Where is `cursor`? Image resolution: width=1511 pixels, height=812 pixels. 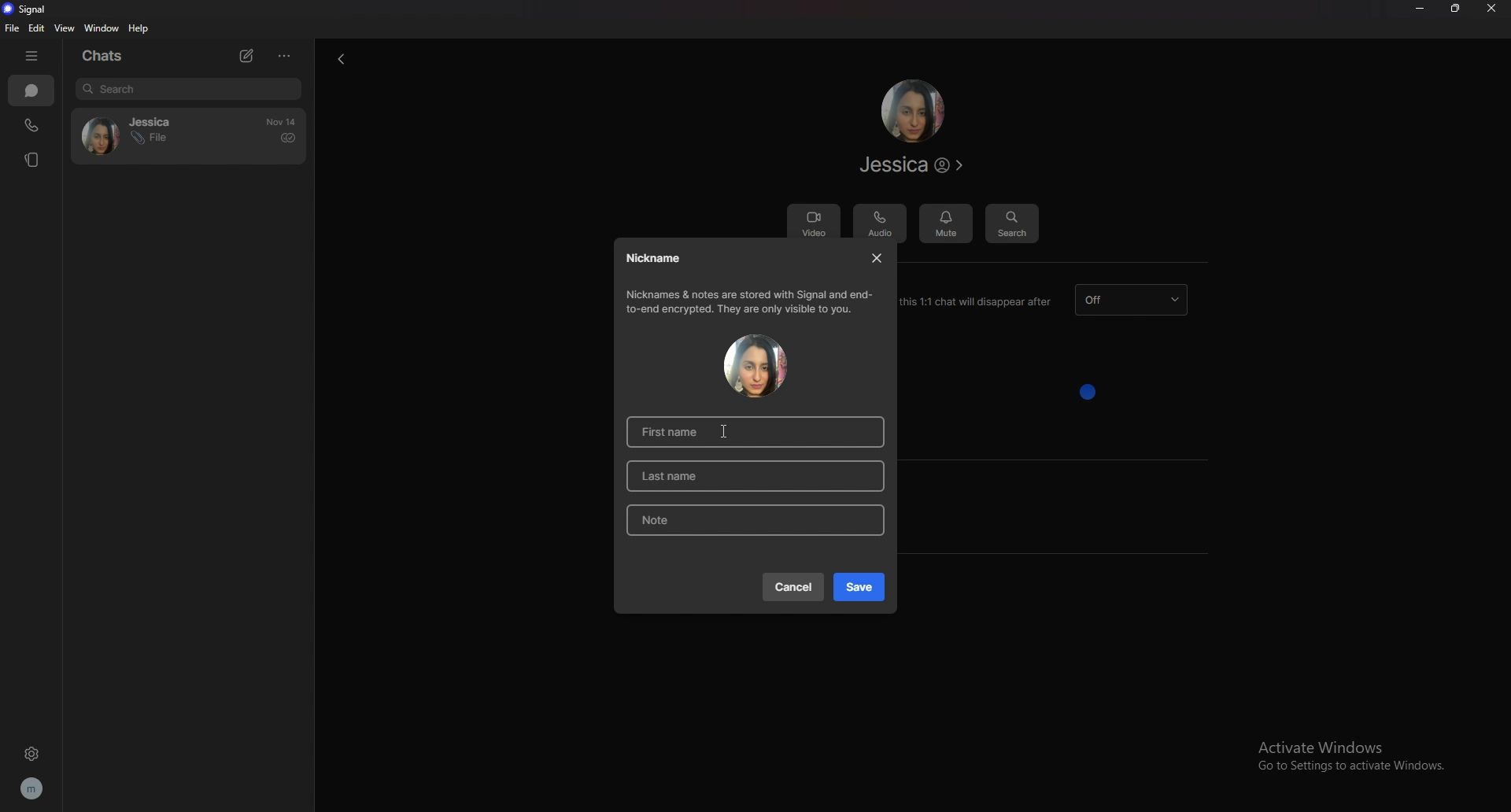 cursor is located at coordinates (721, 432).